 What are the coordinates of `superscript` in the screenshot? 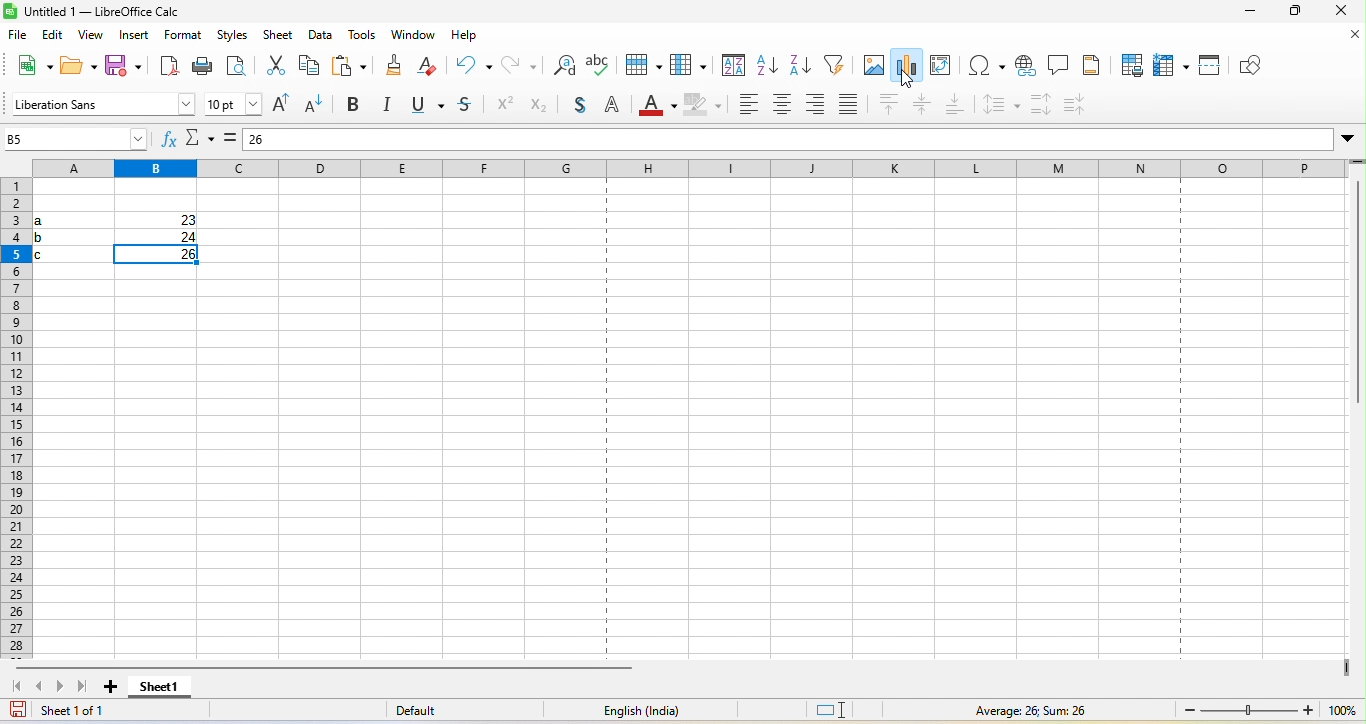 It's located at (506, 107).